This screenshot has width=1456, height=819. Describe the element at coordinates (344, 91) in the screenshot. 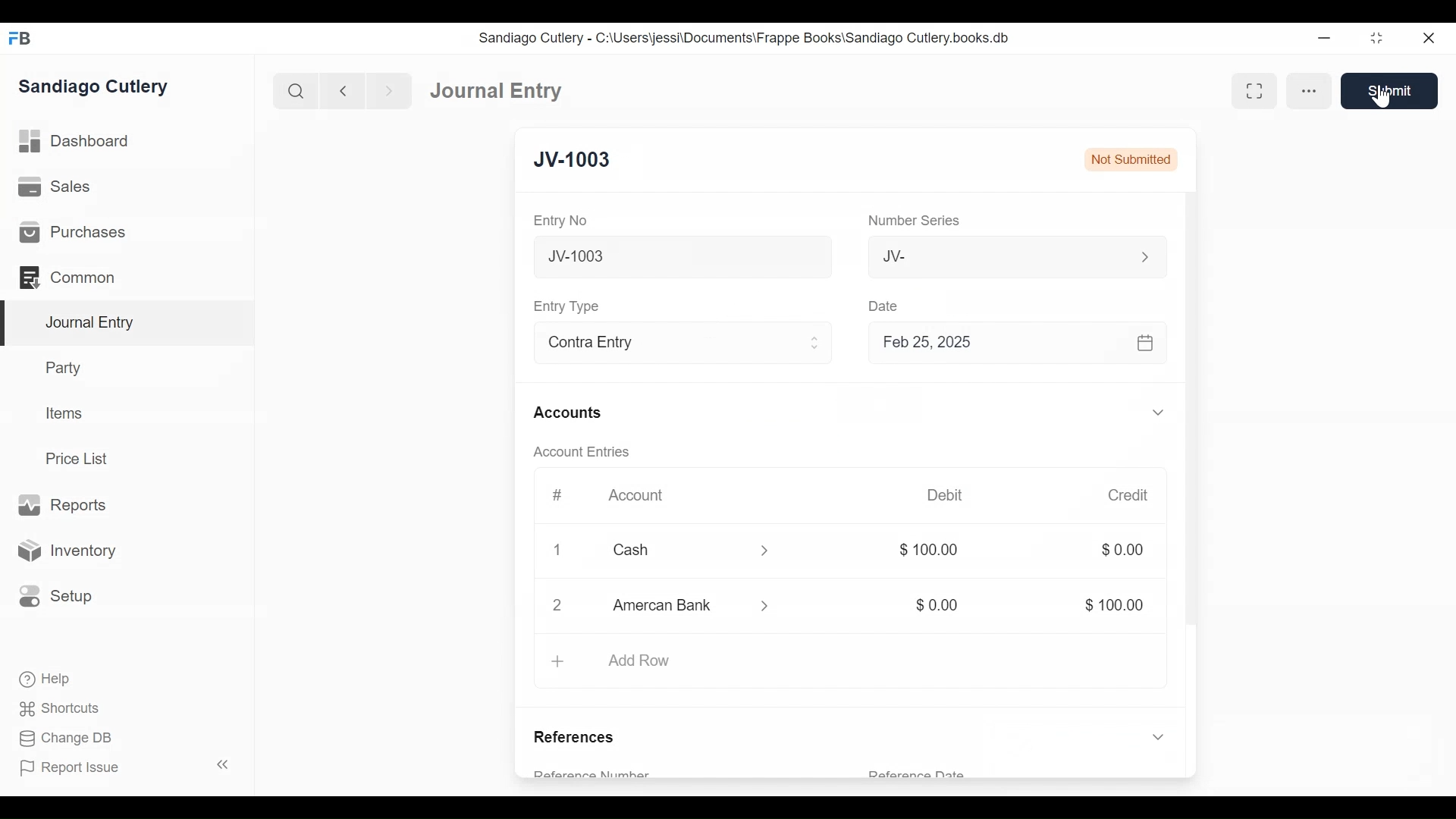

I see `Navigate Back` at that location.